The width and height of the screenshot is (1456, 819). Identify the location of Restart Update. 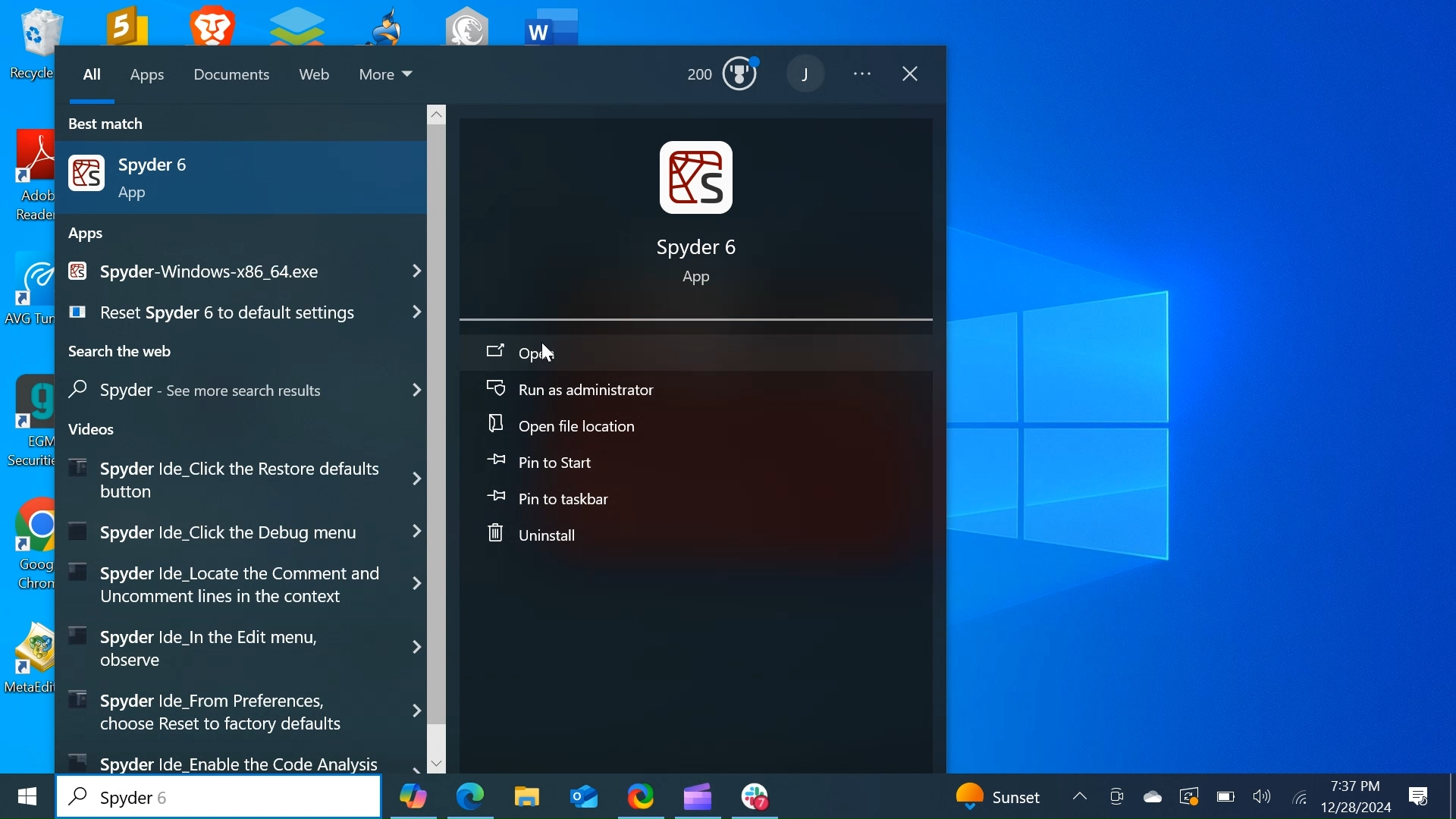
(1188, 797).